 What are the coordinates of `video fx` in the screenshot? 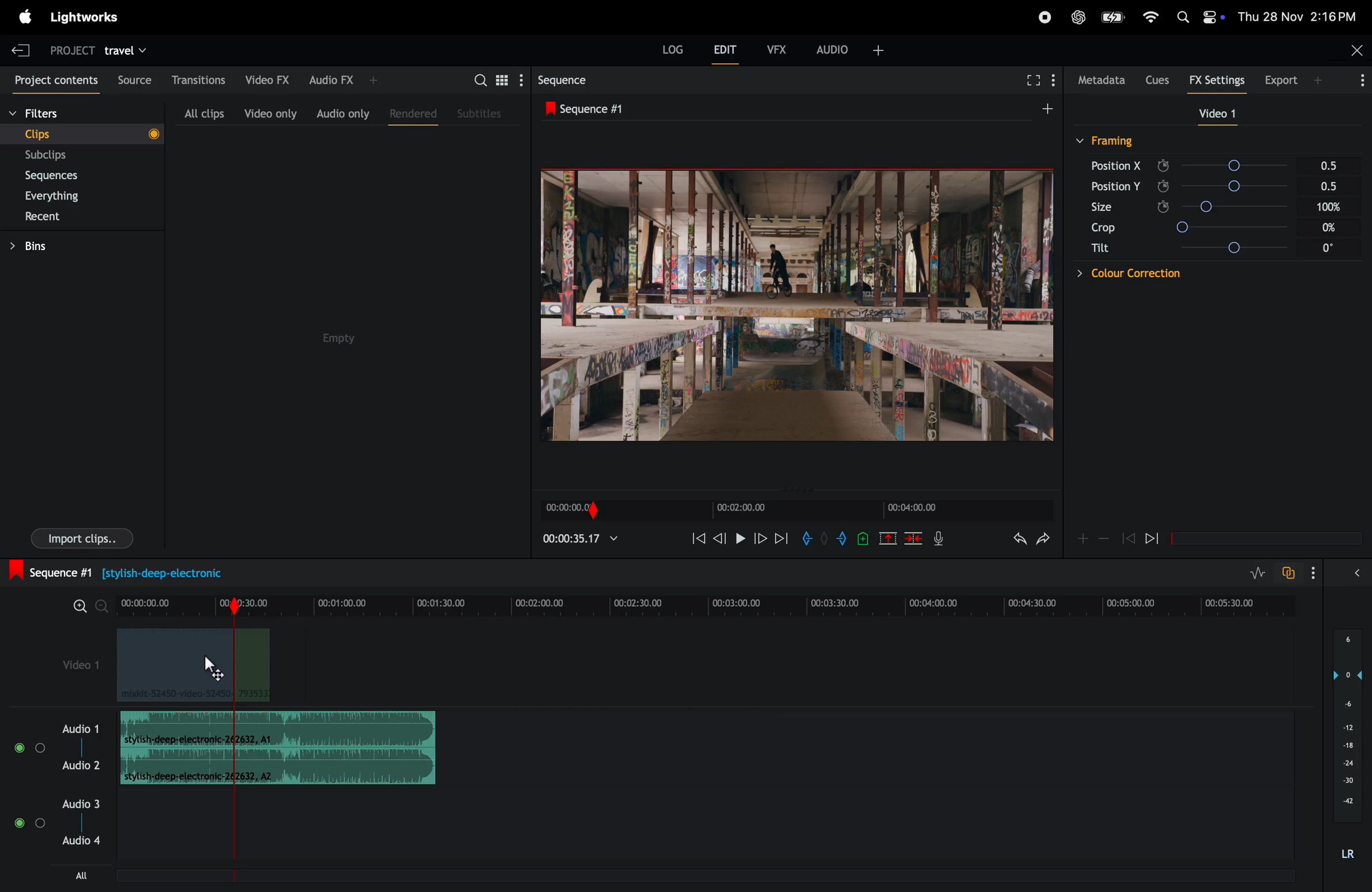 It's located at (265, 78).